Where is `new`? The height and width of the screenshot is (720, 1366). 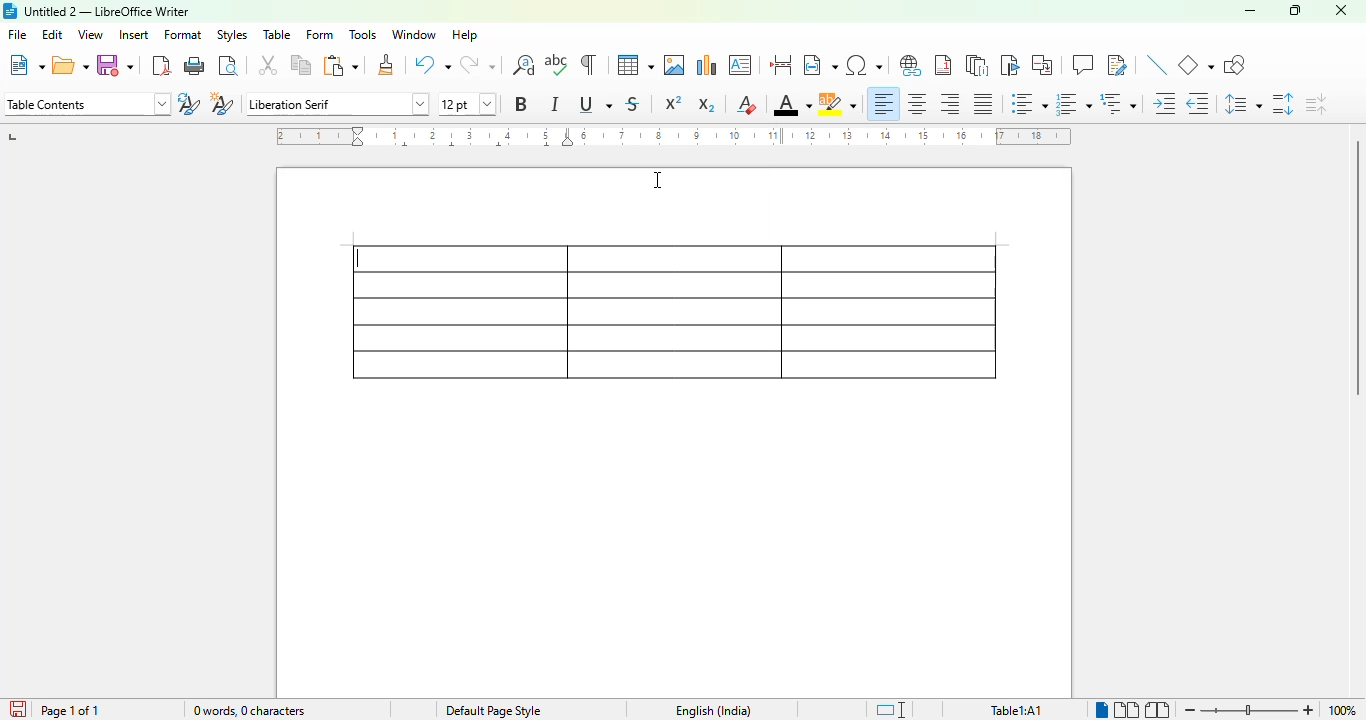 new is located at coordinates (25, 64).